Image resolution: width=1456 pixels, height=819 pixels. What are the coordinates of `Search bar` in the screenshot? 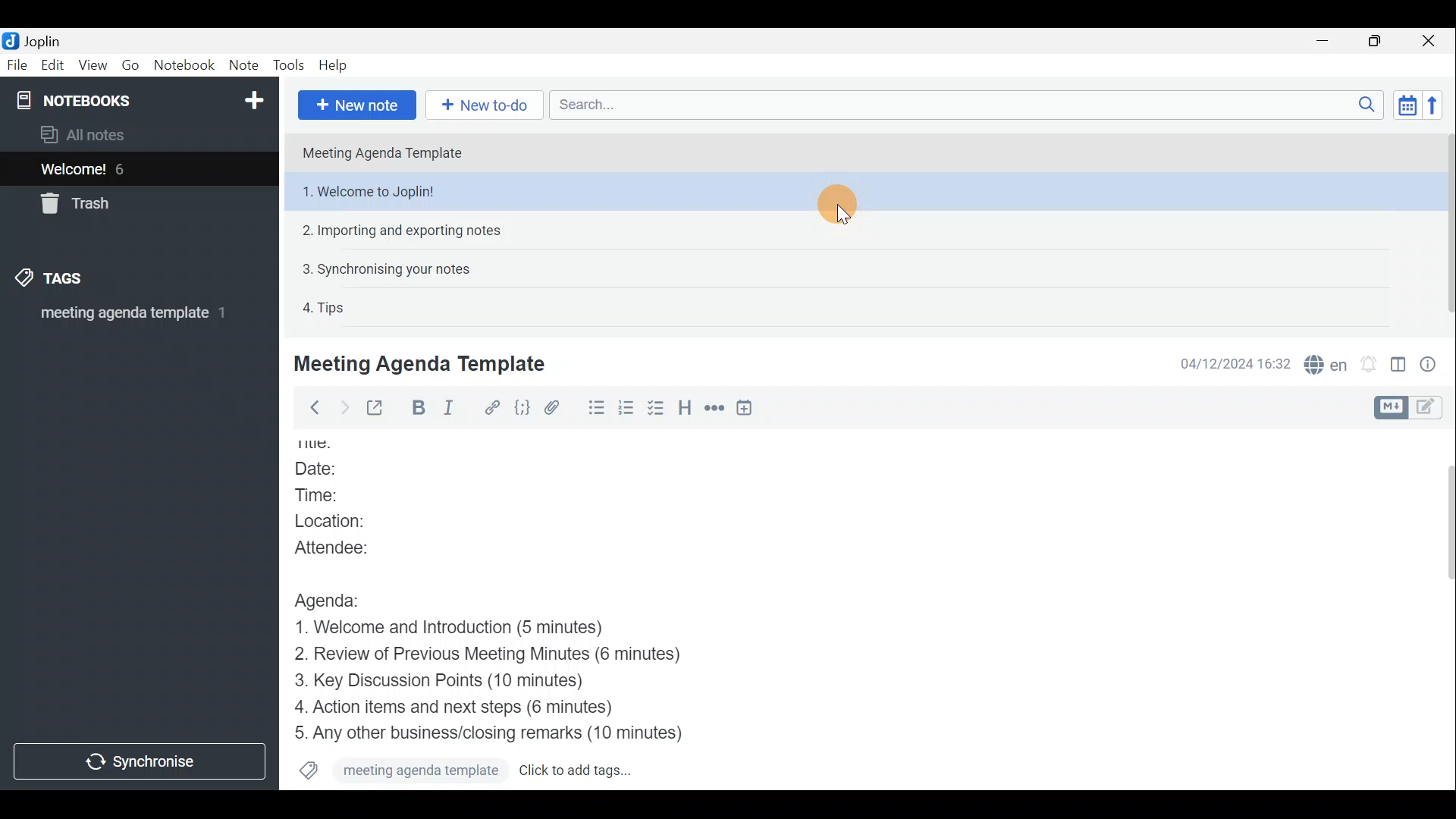 It's located at (971, 105).